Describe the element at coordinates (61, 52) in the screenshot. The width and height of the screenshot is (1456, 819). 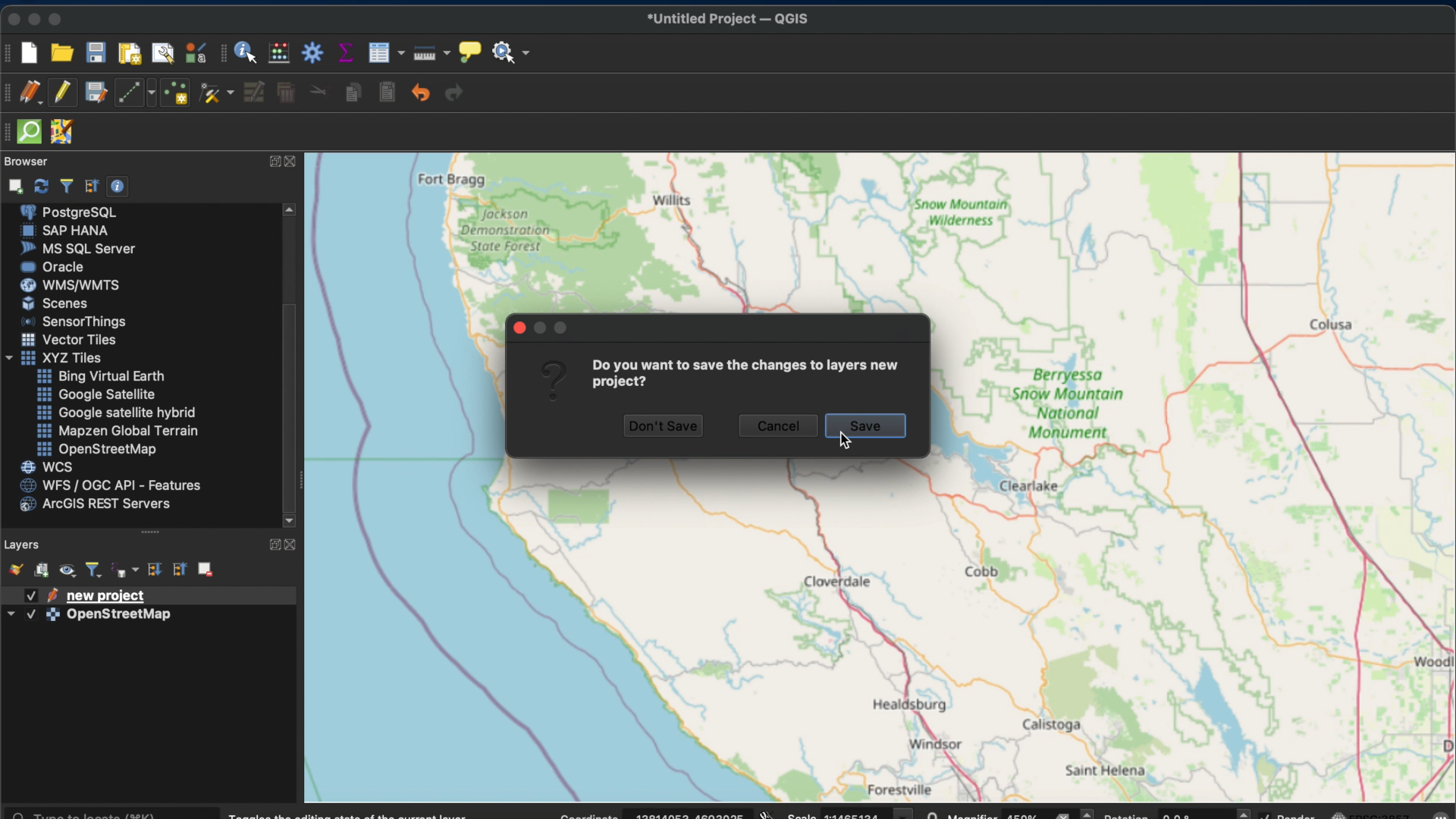
I see `open project` at that location.